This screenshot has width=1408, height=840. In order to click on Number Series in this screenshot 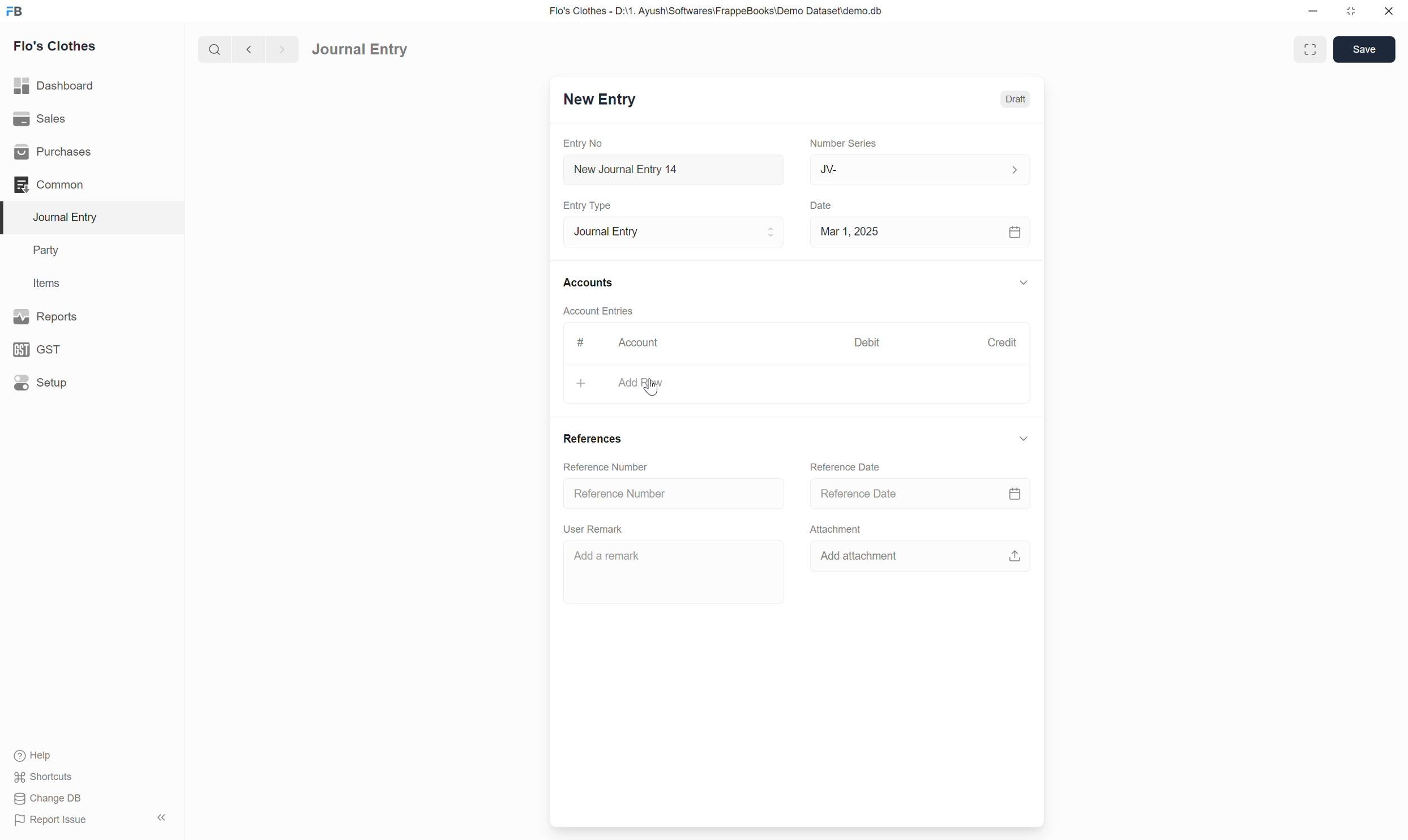, I will do `click(844, 142)`.